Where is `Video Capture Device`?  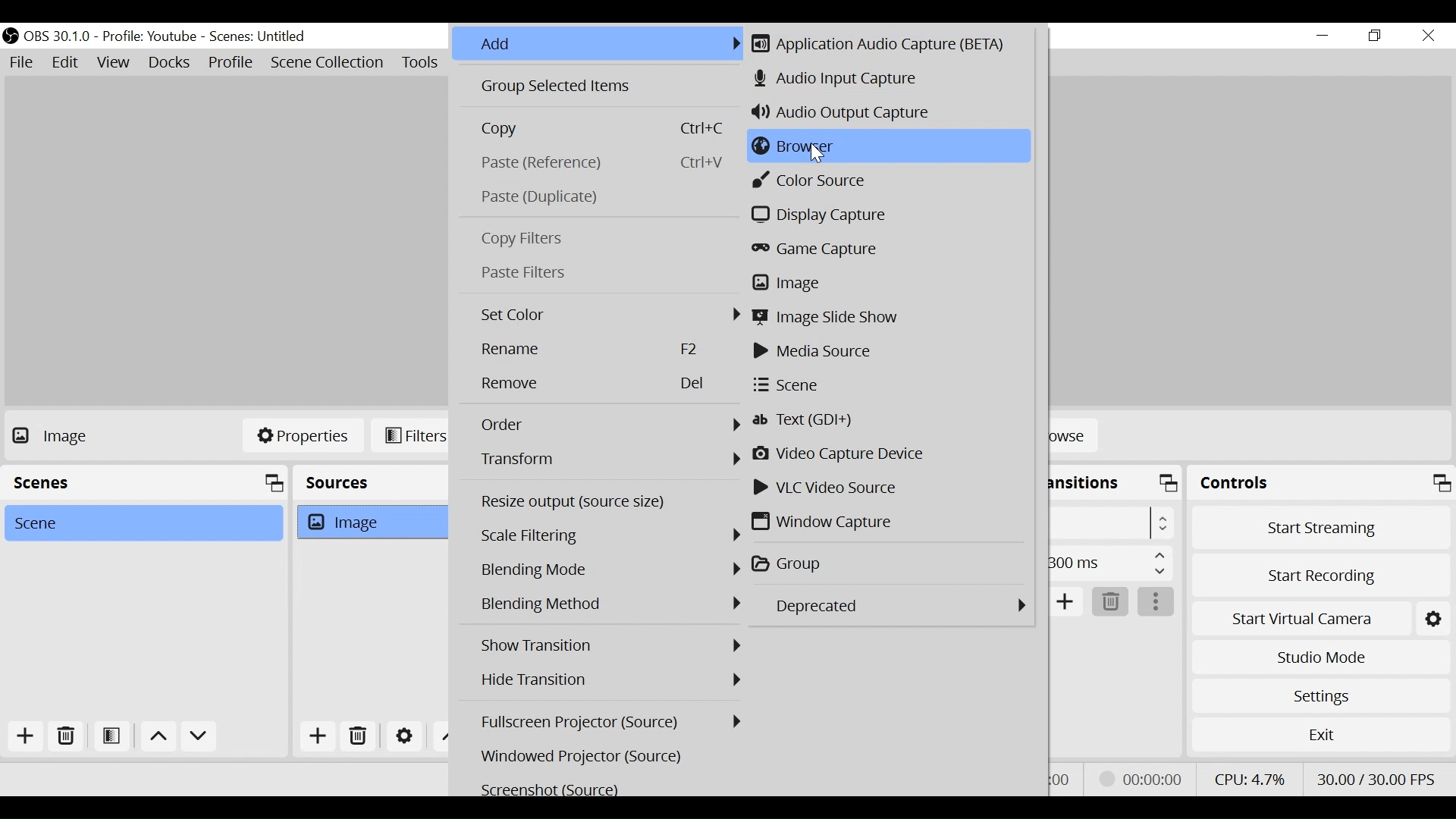
Video Capture Device is located at coordinates (890, 455).